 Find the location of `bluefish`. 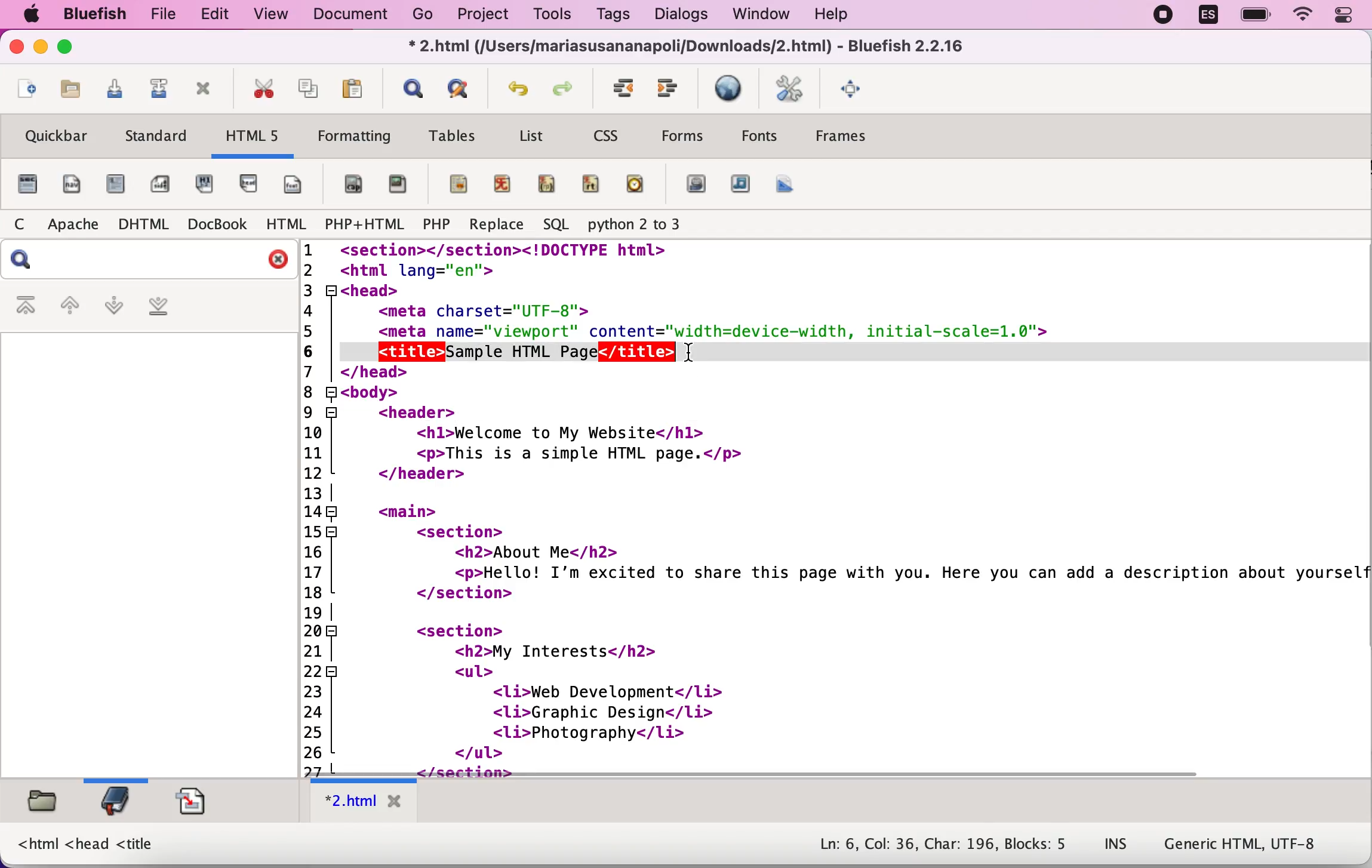

bluefish is located at coordinates (96, 15).